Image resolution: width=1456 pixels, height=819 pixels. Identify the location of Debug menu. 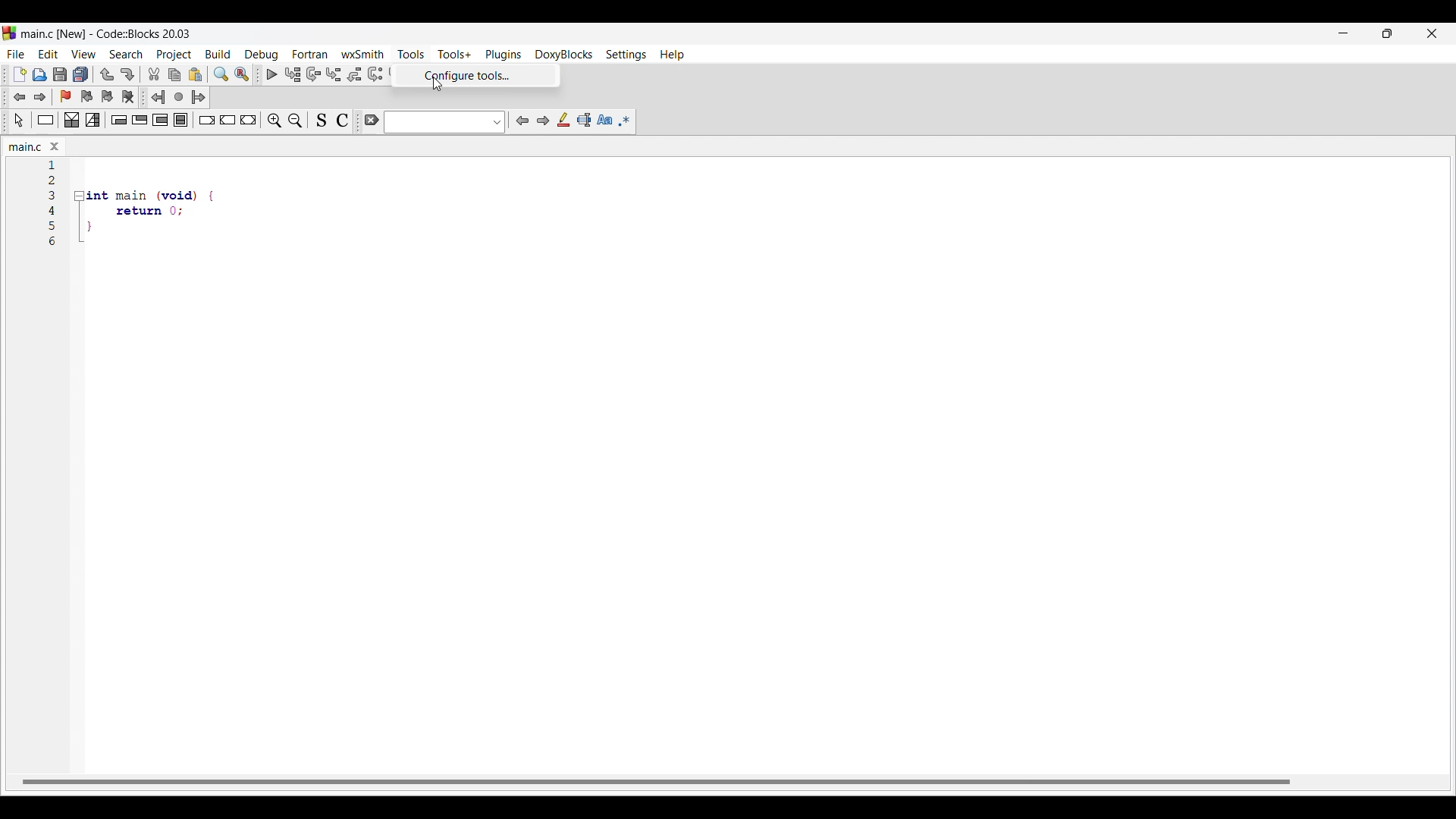
(262, 55).